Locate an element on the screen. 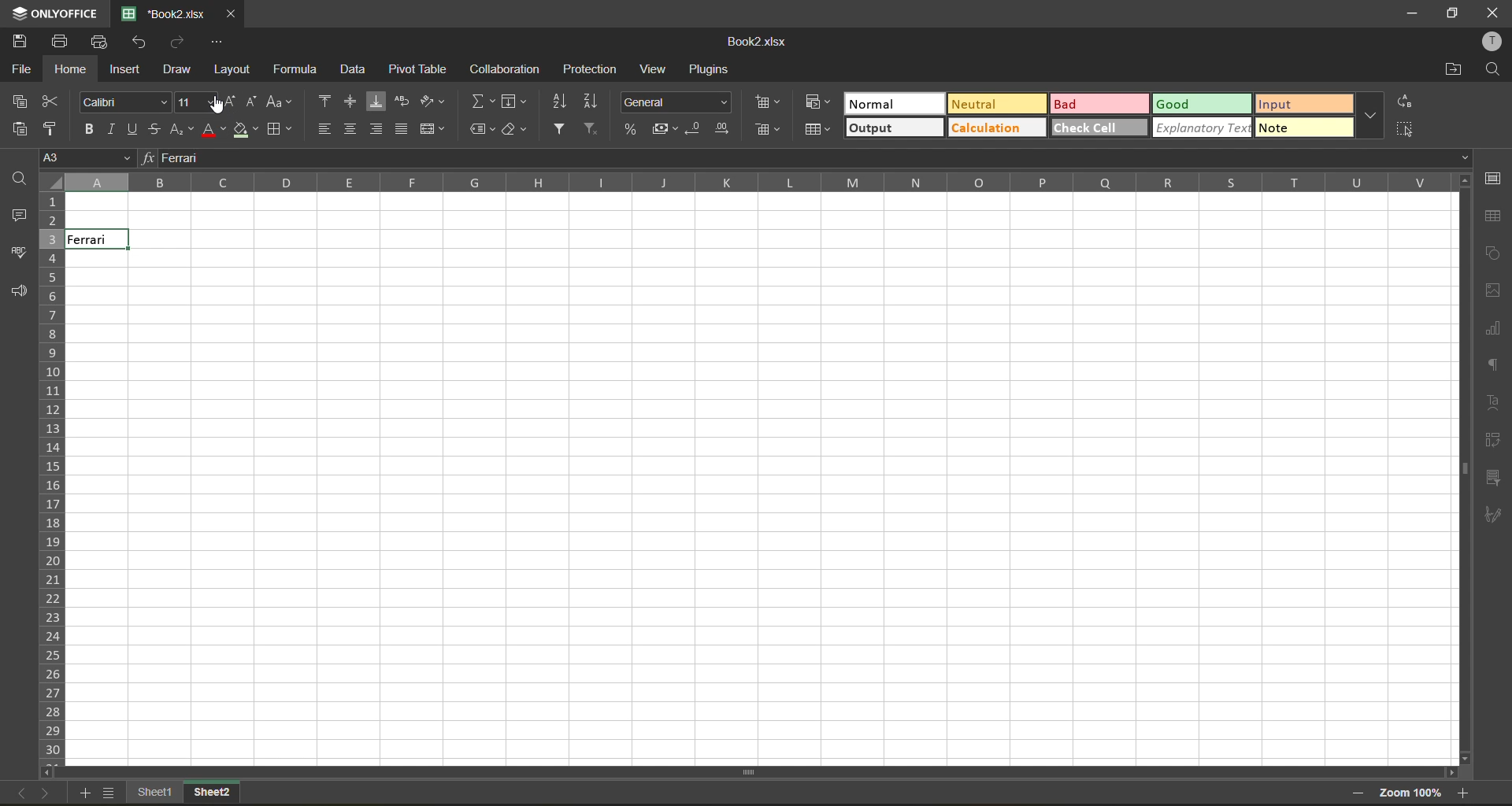 The height and width of the screenshot is (806, 1512). bad is located at coordinates (1099, 105).